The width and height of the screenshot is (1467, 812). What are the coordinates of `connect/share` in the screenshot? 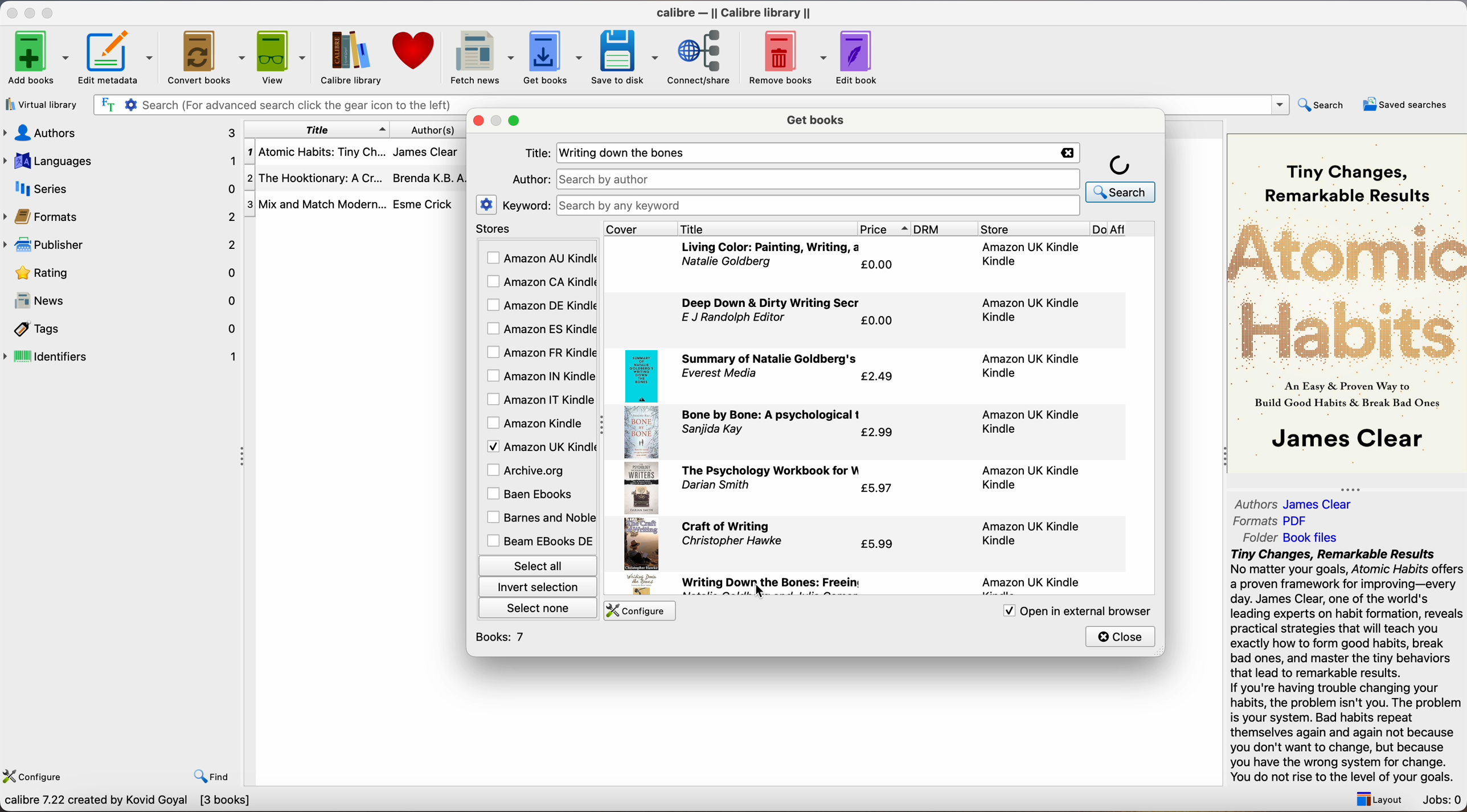 It's located at (703, 56).